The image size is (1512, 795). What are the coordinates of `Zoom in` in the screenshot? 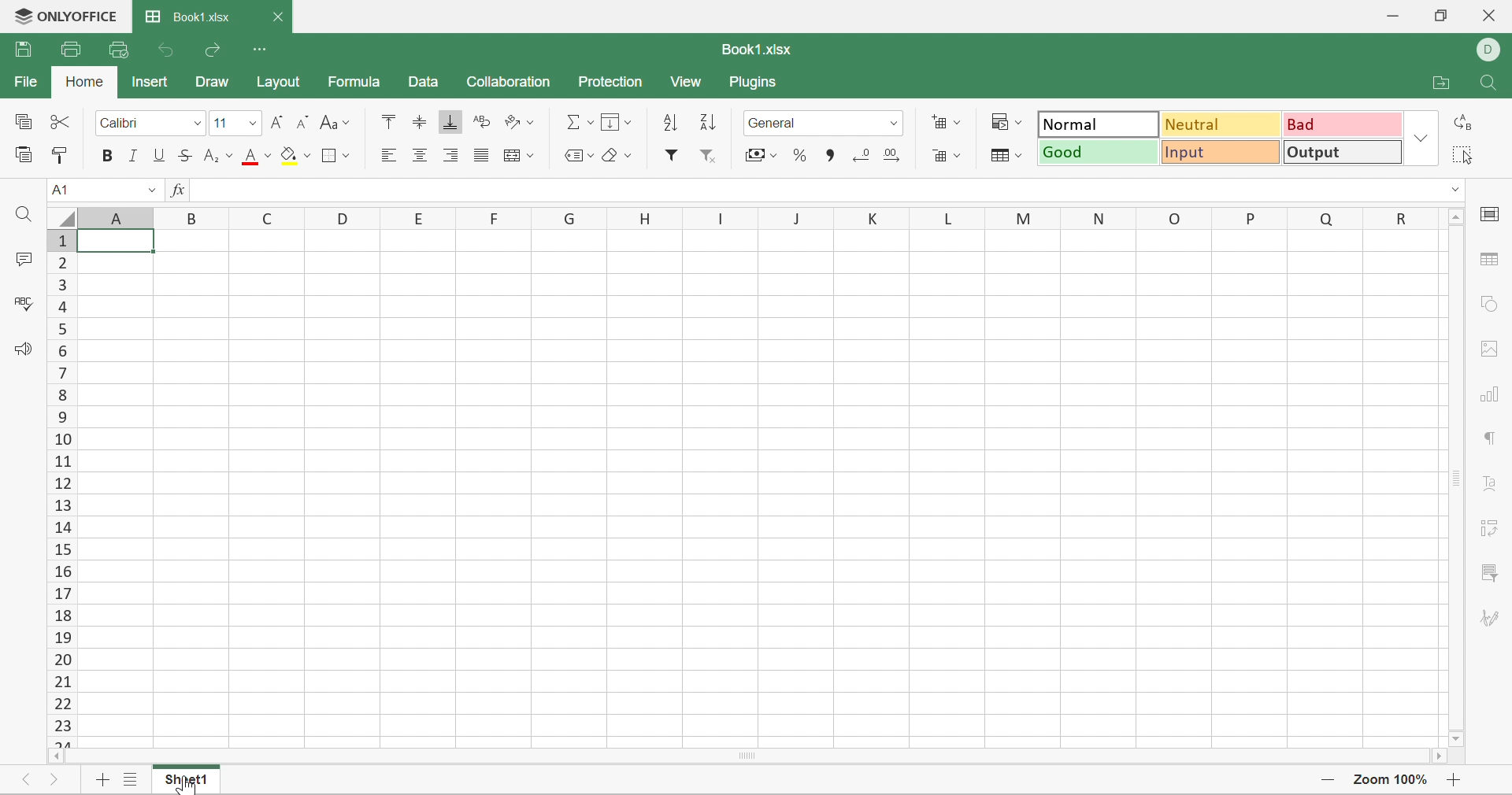 It's located at (1455, 782).